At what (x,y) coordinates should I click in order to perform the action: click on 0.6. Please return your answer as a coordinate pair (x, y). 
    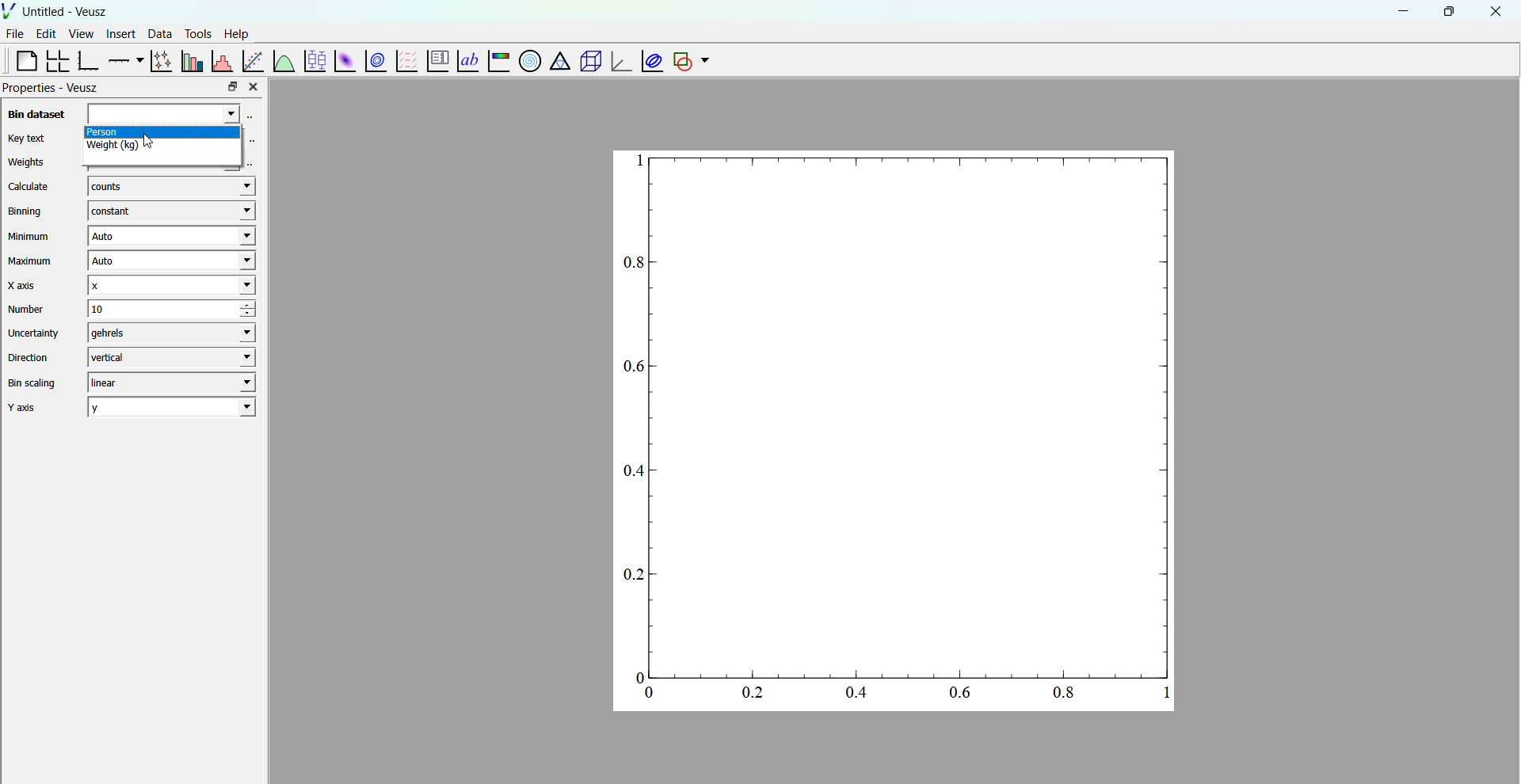
    Looking at the image, I should click on (631, 367).